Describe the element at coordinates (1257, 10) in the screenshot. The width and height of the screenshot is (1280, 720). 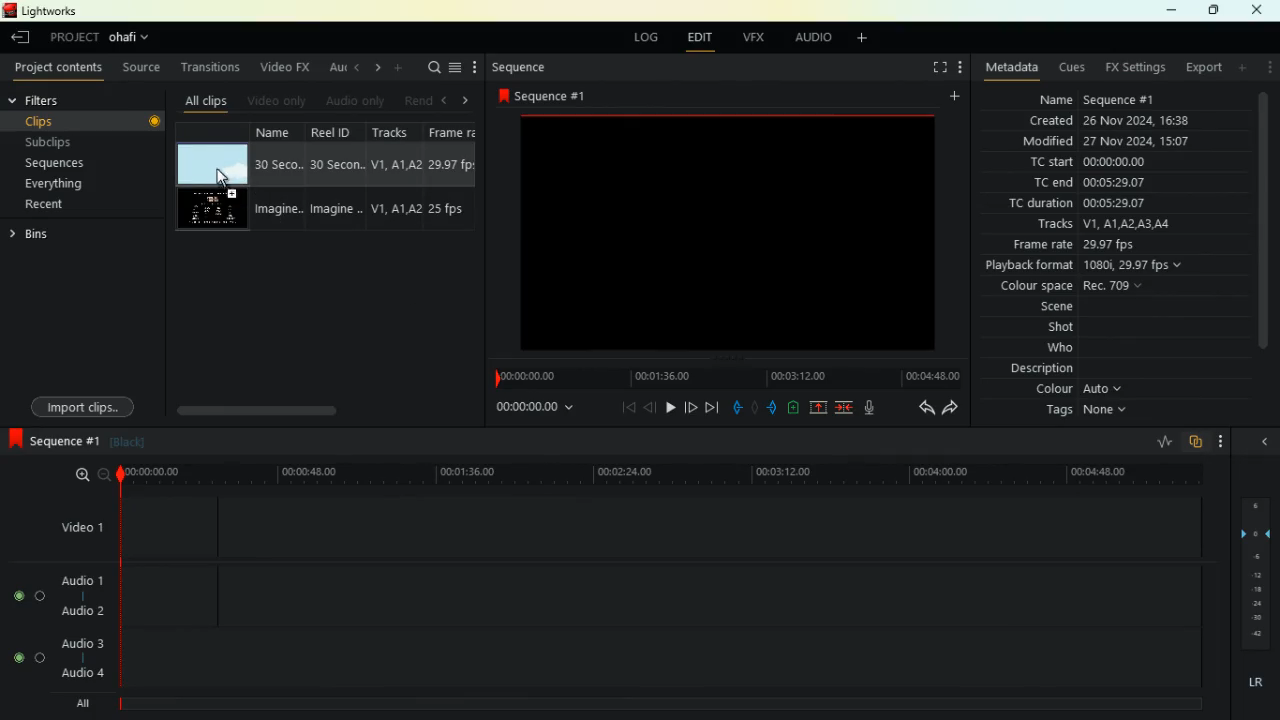
I see `close` at that location.